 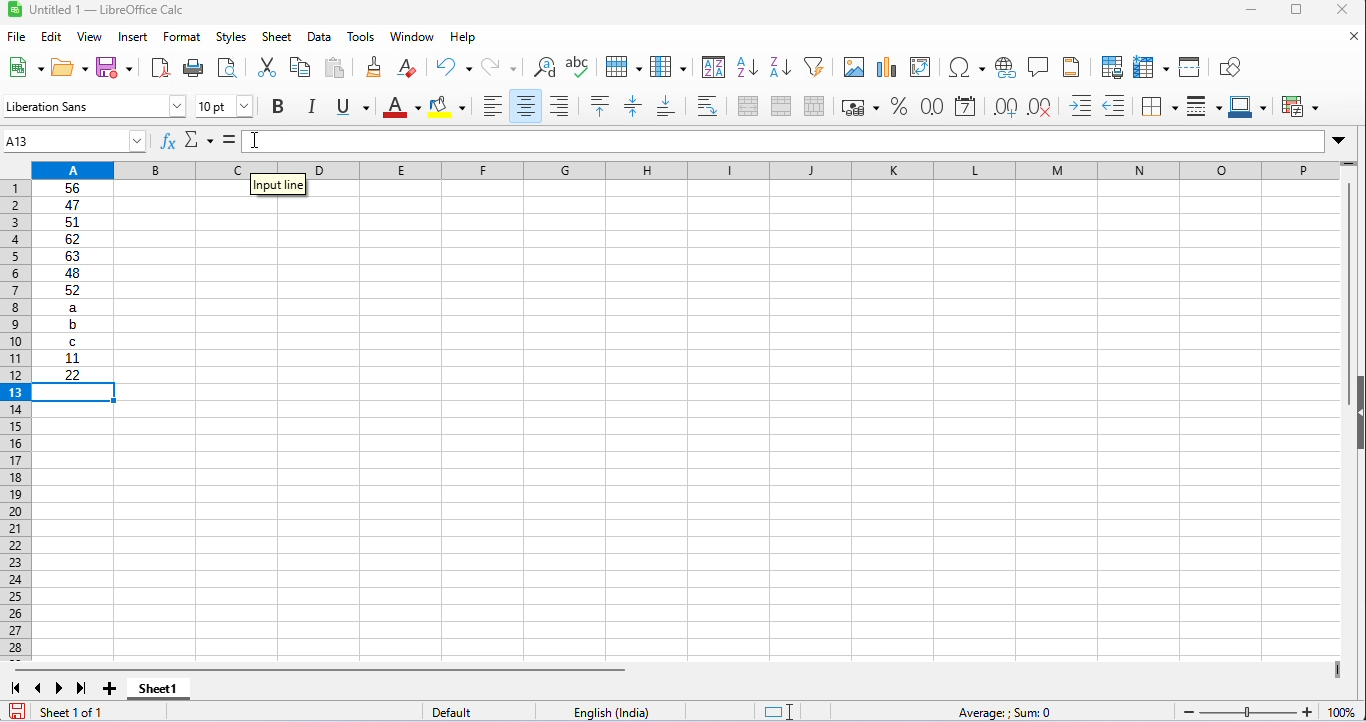 I want to click on next sheet, so click(x=60, y=688).